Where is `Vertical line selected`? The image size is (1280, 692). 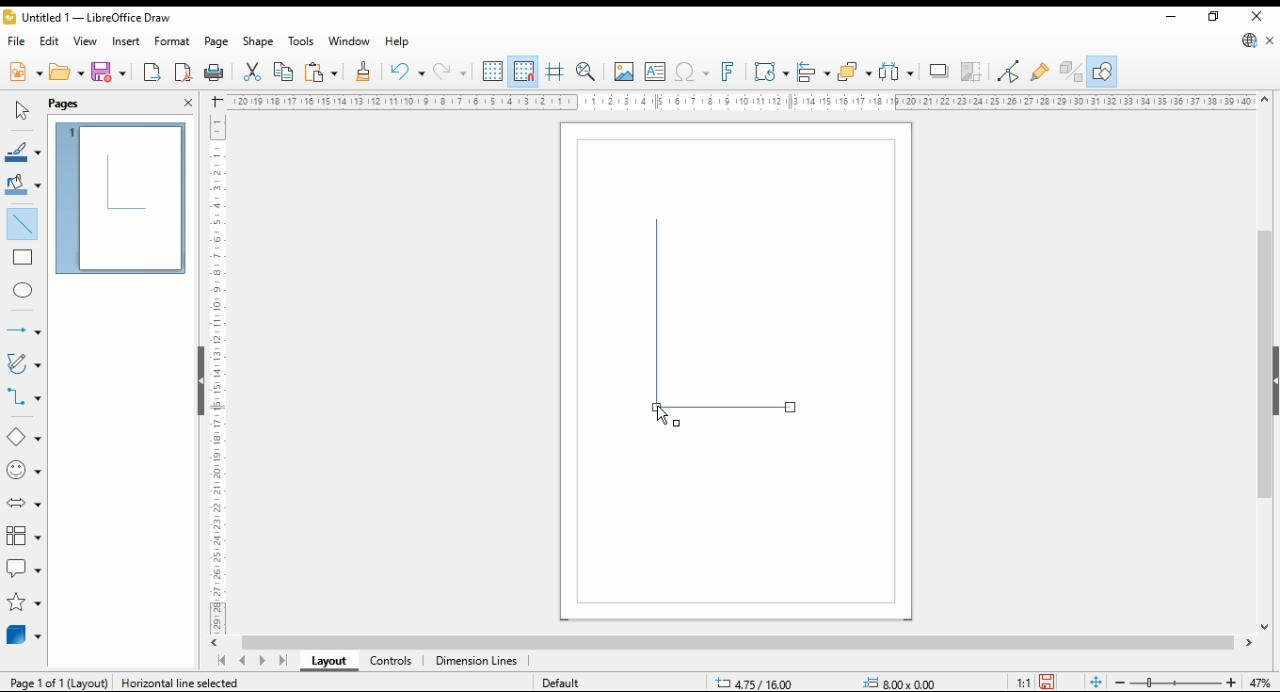
Vertical line selected is located at coordinates (188, 681).